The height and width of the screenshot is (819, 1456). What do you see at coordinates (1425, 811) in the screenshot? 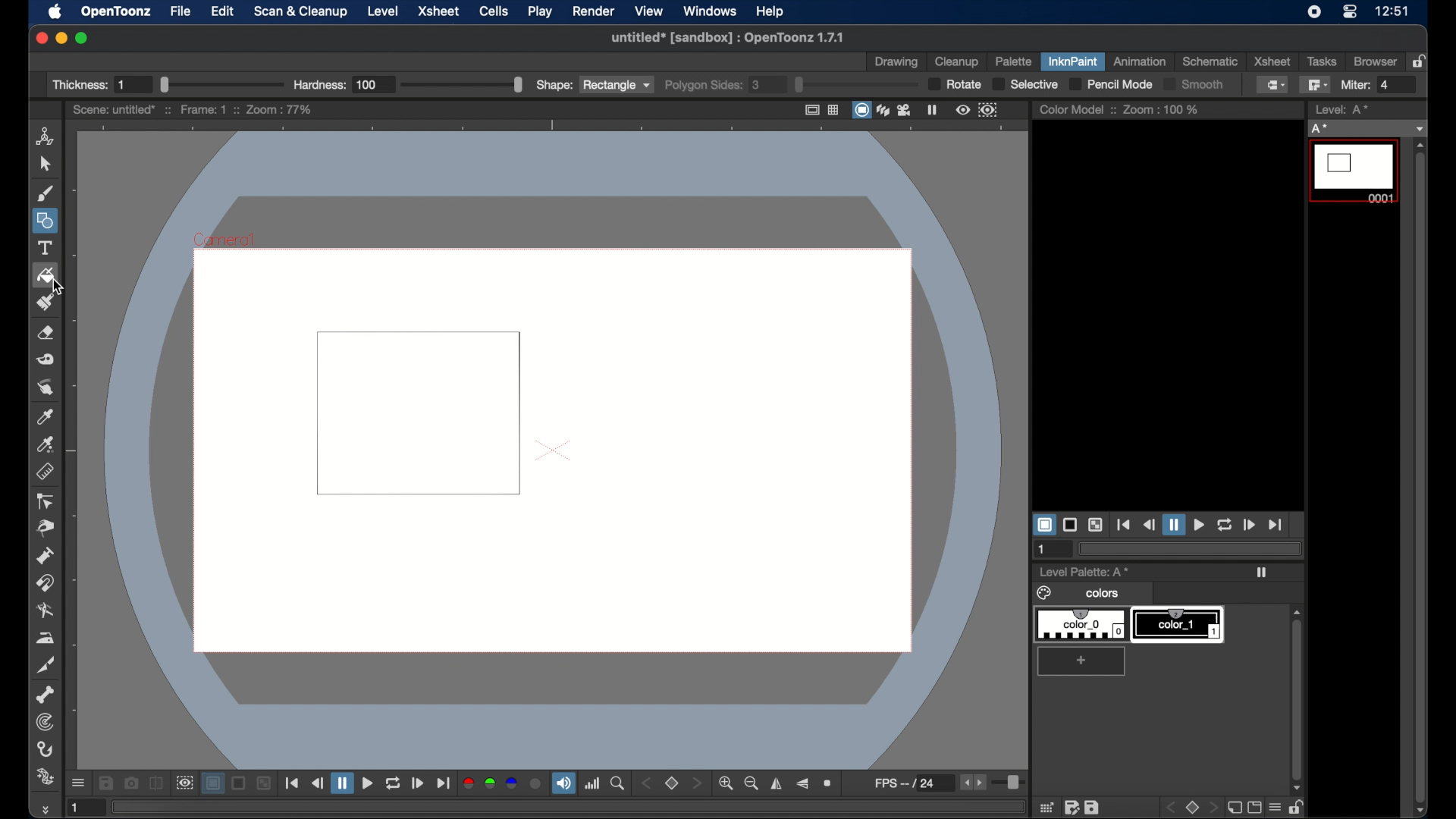
I see `scroll down arrow` at bounding box center [1425, 811].